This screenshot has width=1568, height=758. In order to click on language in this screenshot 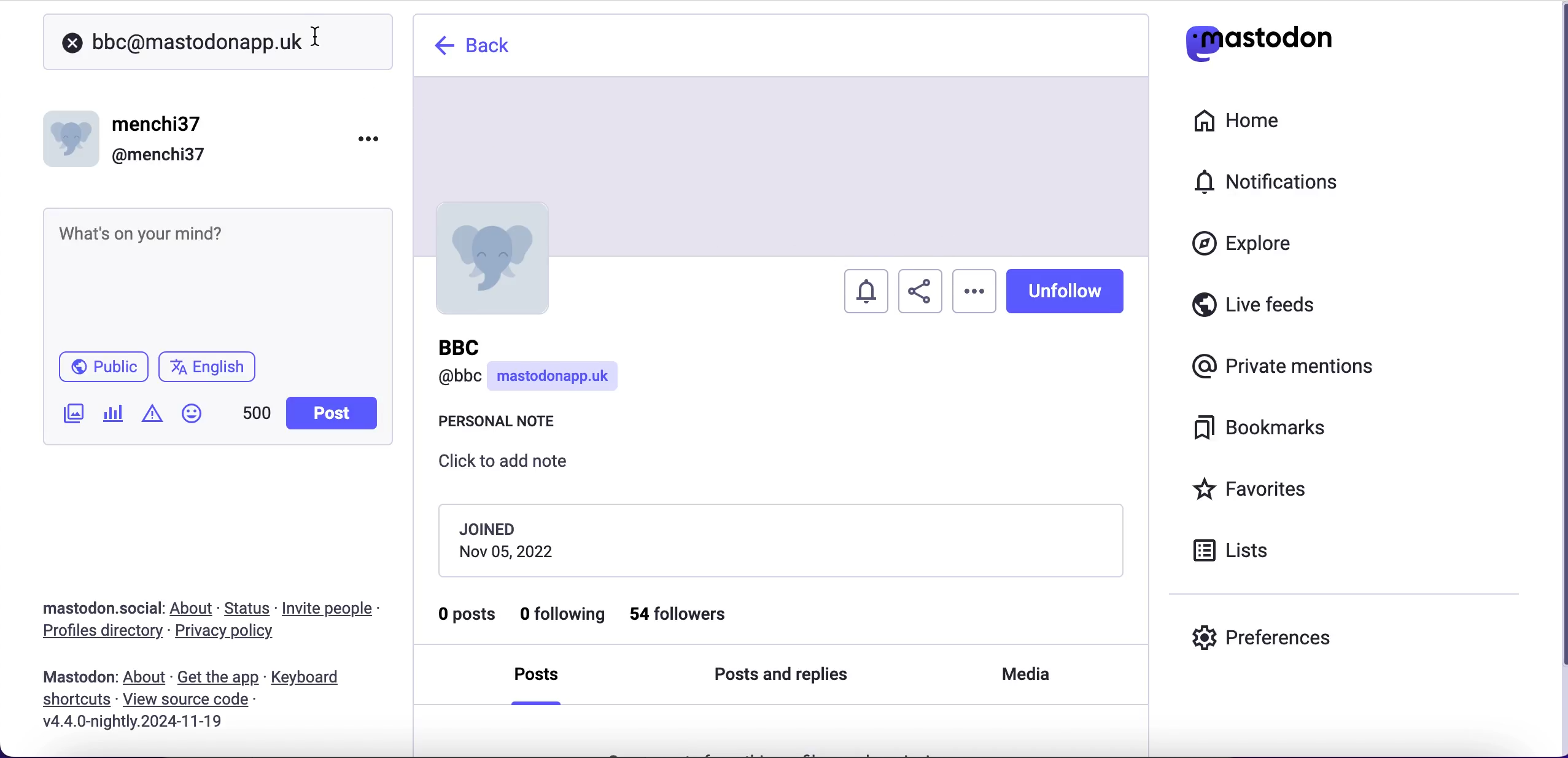, I will do `click(212, 372)`.